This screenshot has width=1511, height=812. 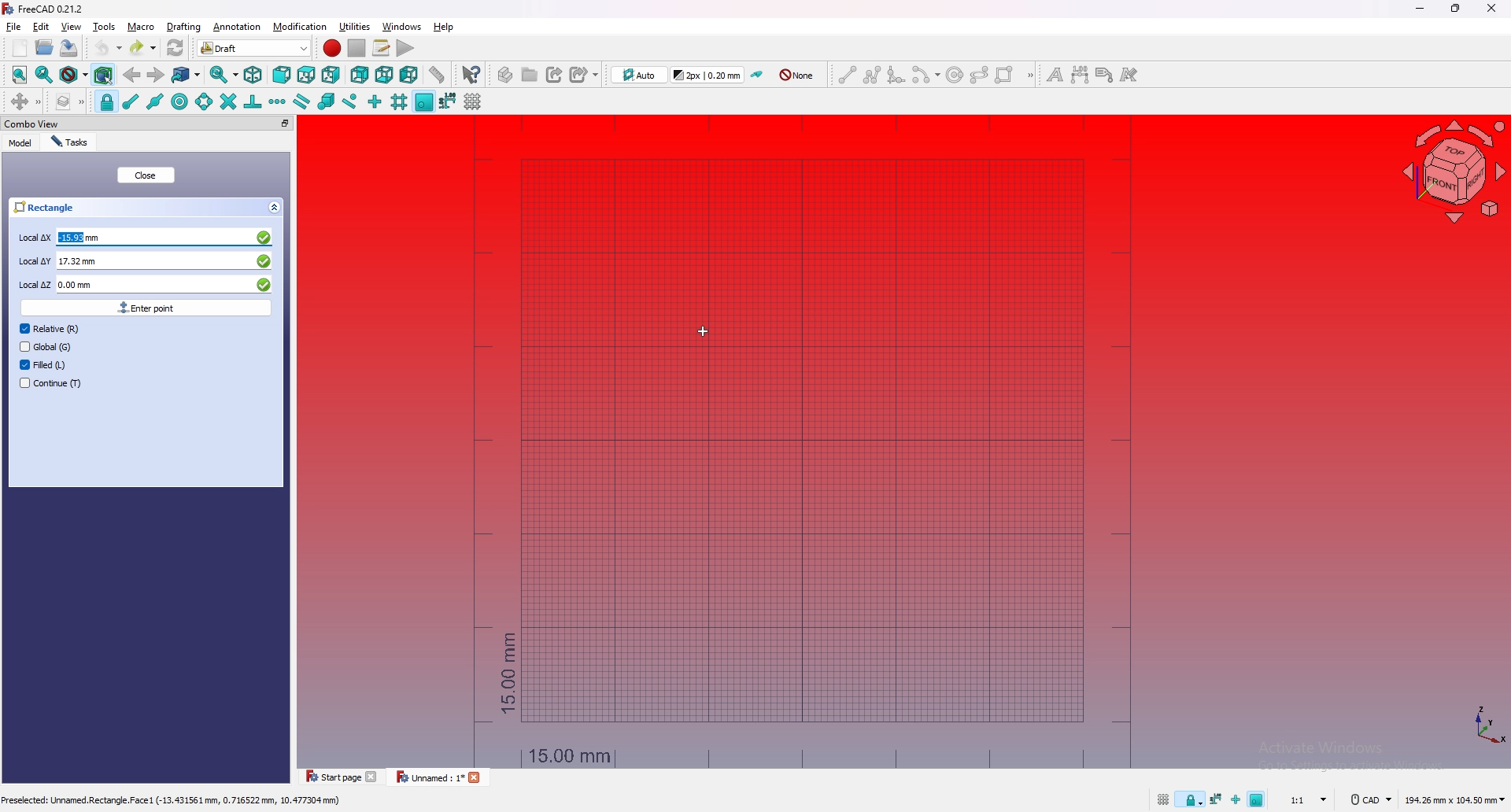 I want to click on tools, so click(x=105, y=27).